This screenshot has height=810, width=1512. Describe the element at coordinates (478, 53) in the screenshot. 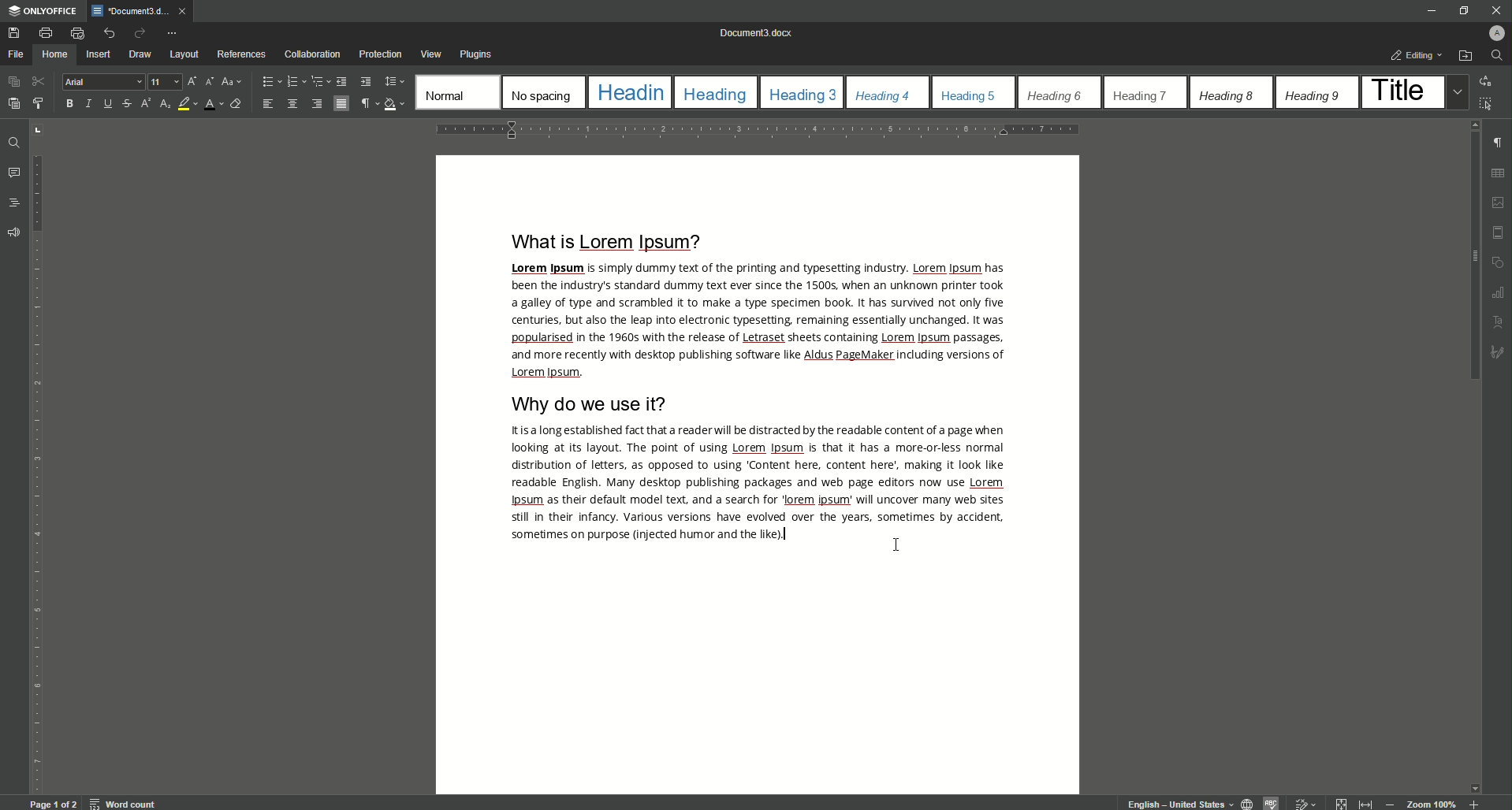

I see `Plugins` at that location.